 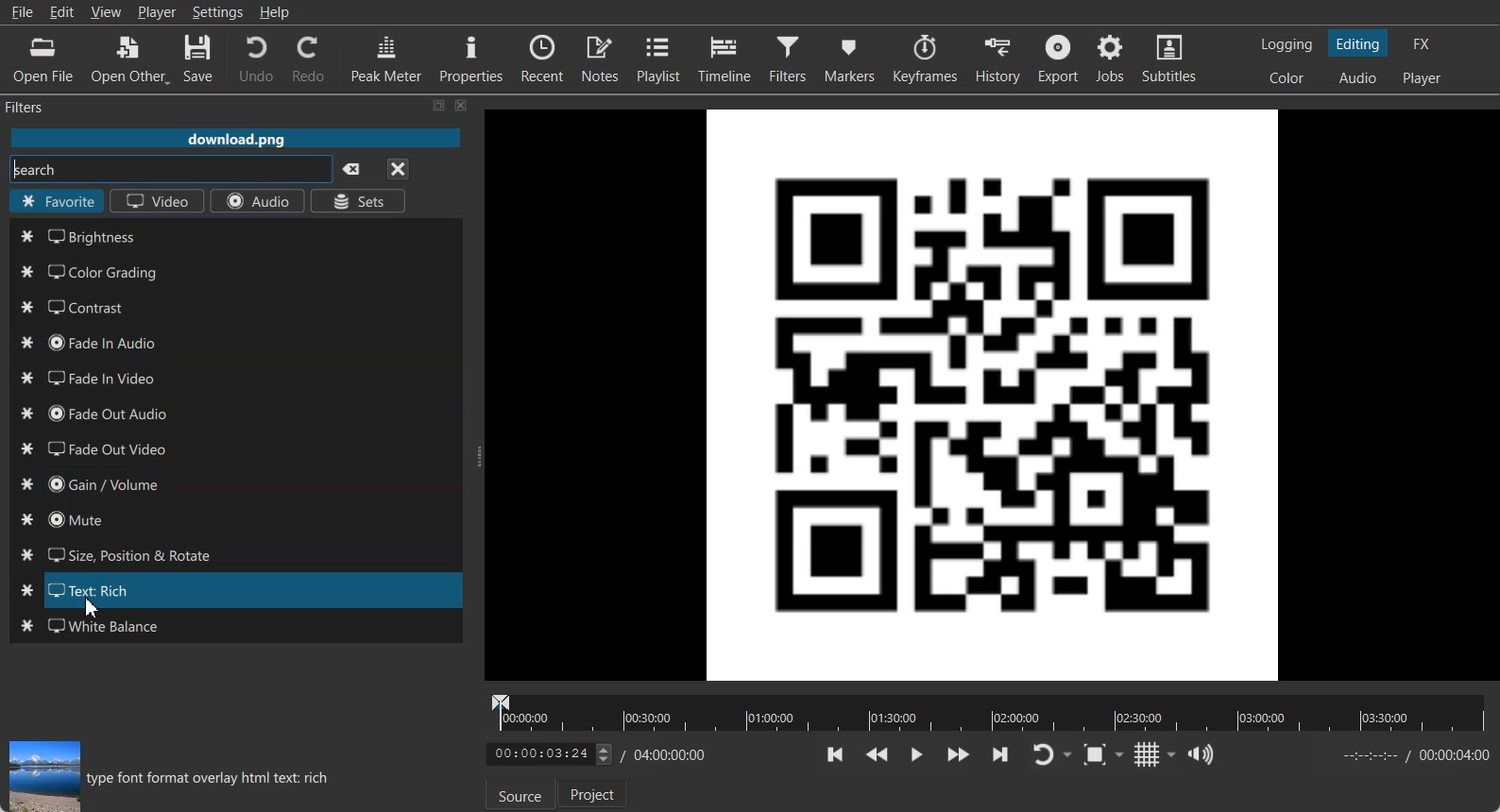 I want to click on Filters, so click(x=791, y=58).